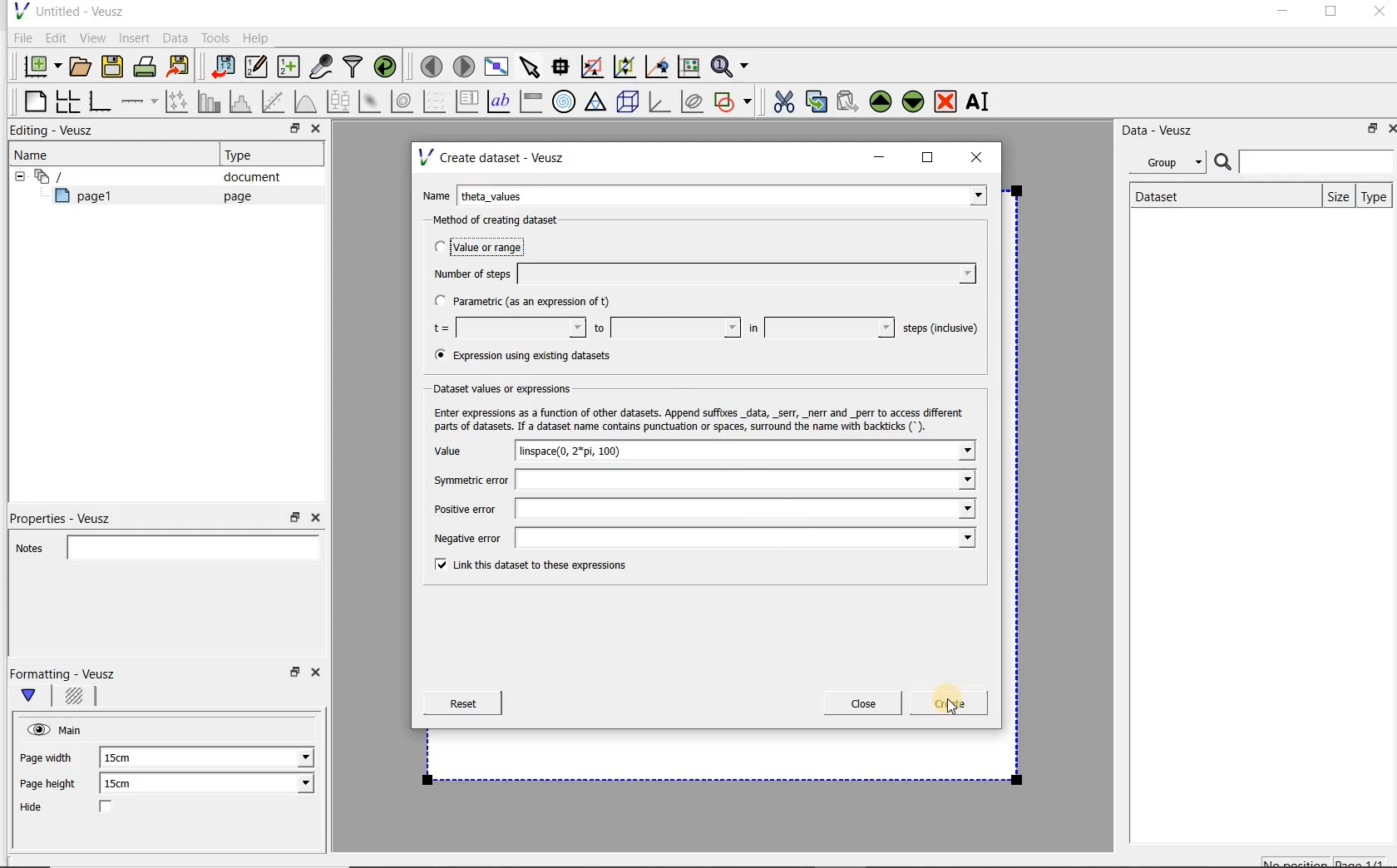 The image size is (1397, 868). Describe the element at coordinates (699, 274) in the screenshot. I see `Number of steps` at that location.